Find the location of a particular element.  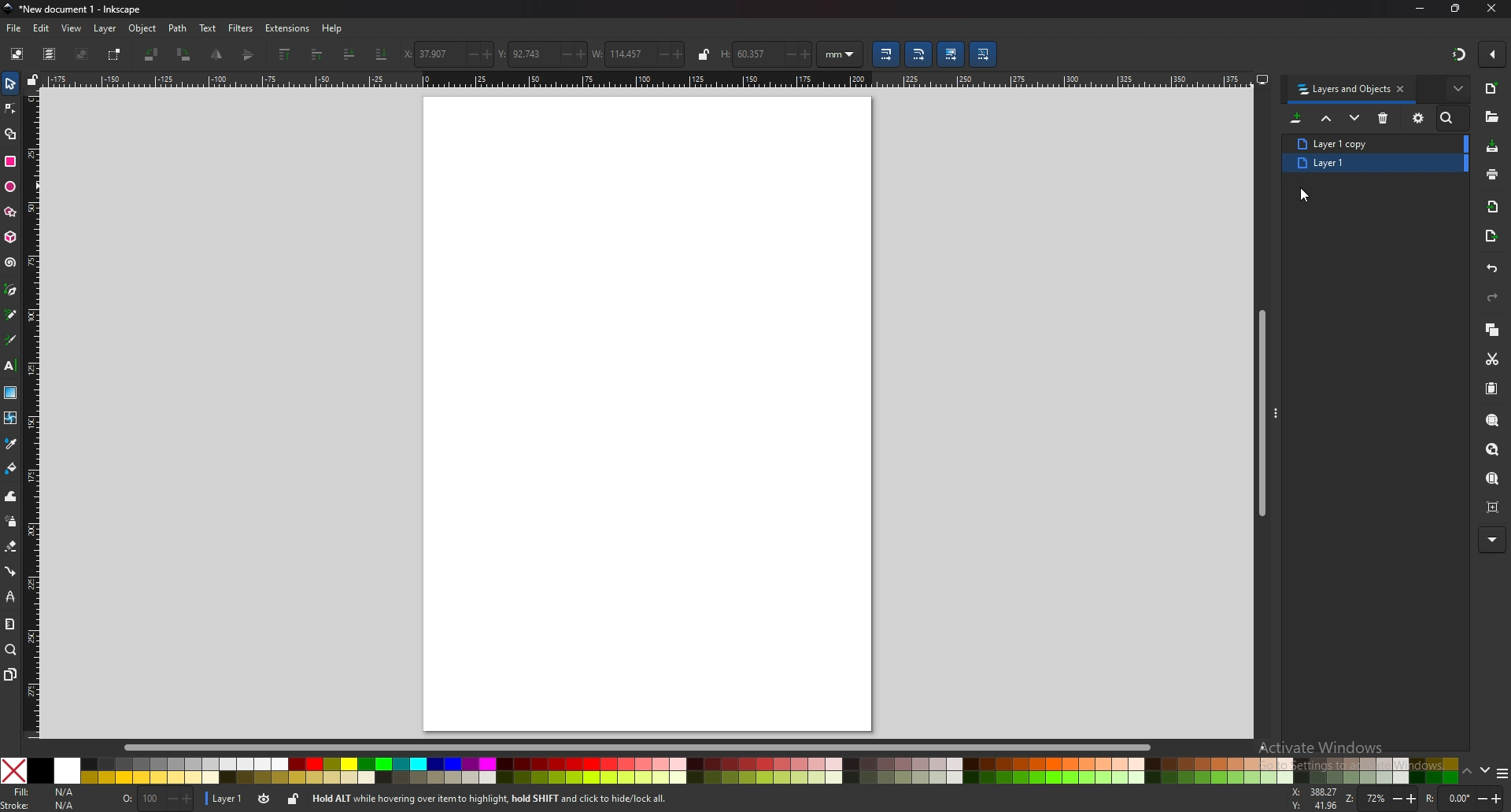

horizontal scale is located at coordinates (648, 79).